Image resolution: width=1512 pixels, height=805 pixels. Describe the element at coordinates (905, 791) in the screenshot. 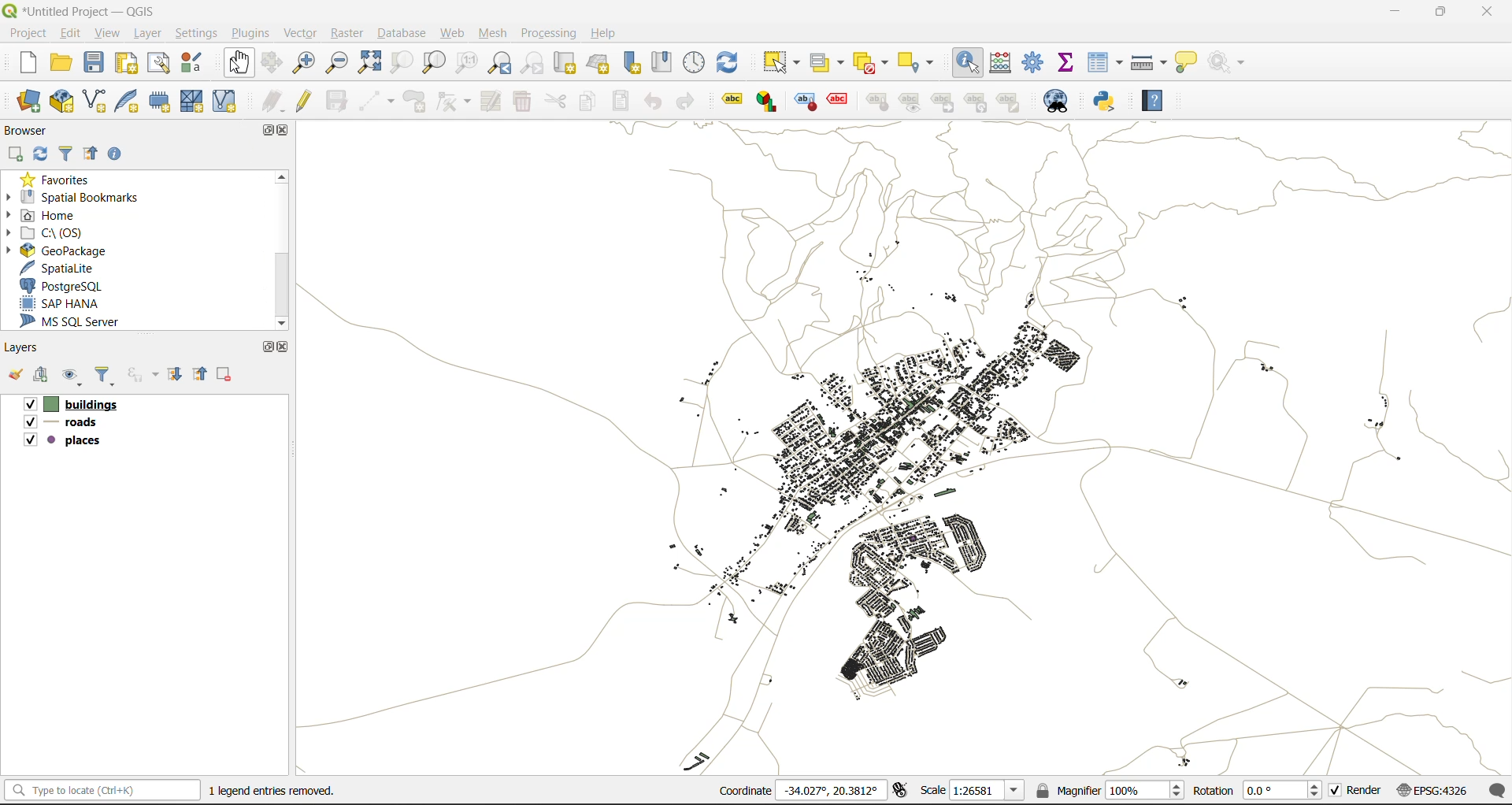

I see `toggle extensions` at that location.